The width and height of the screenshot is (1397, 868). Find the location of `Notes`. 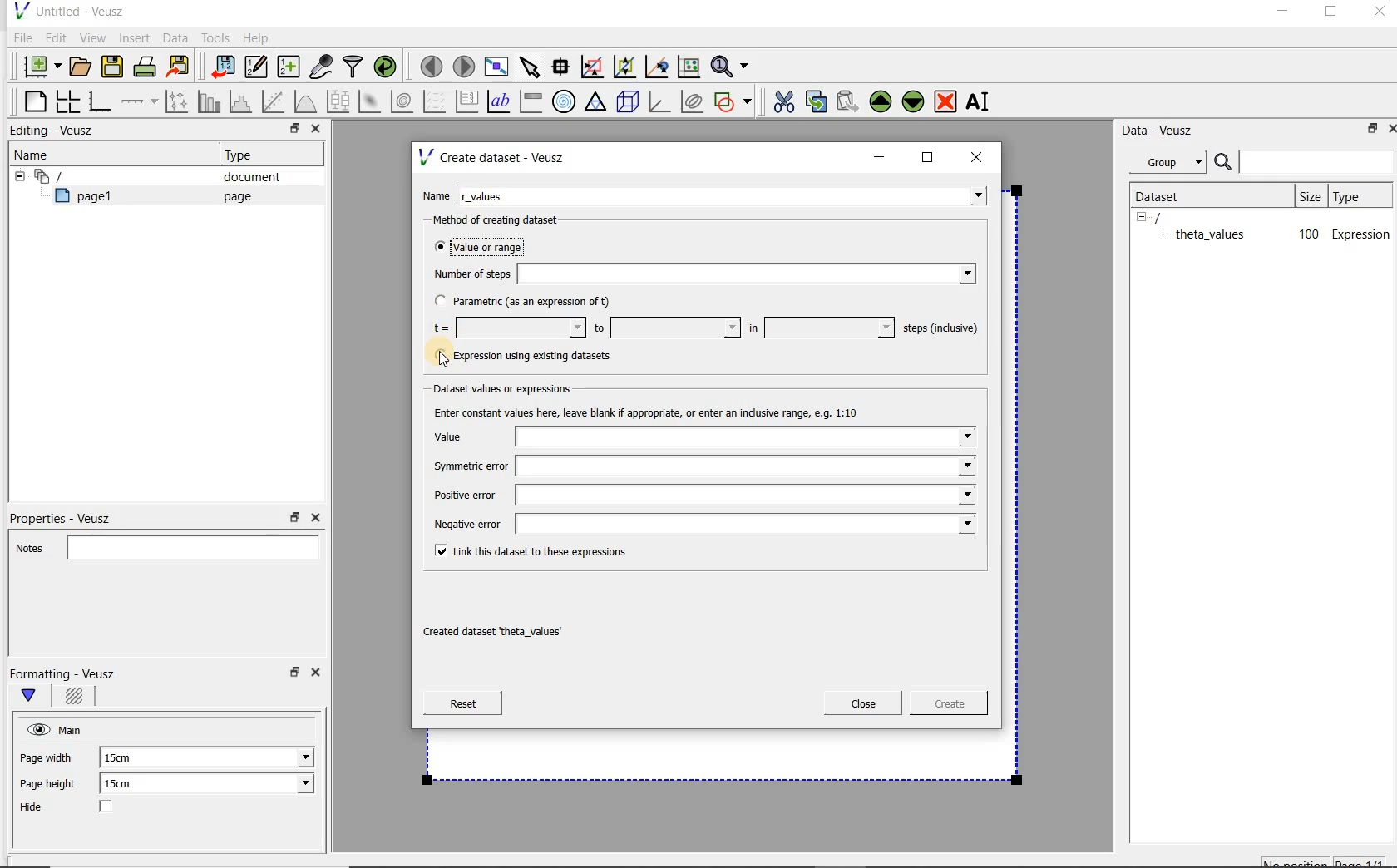

Notes is located at coordinates (162, 545).